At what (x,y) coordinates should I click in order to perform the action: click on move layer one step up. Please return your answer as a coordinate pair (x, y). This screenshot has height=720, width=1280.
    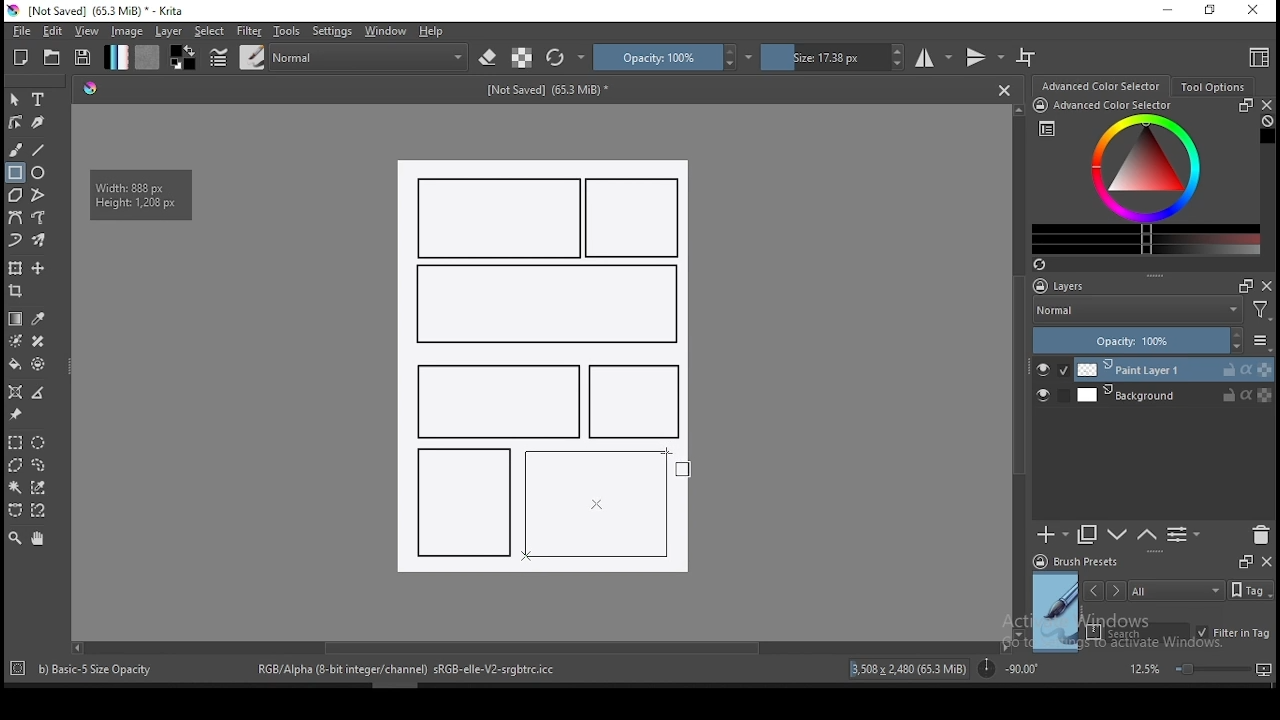
    Looking at the image, I should click on (1118, 537).